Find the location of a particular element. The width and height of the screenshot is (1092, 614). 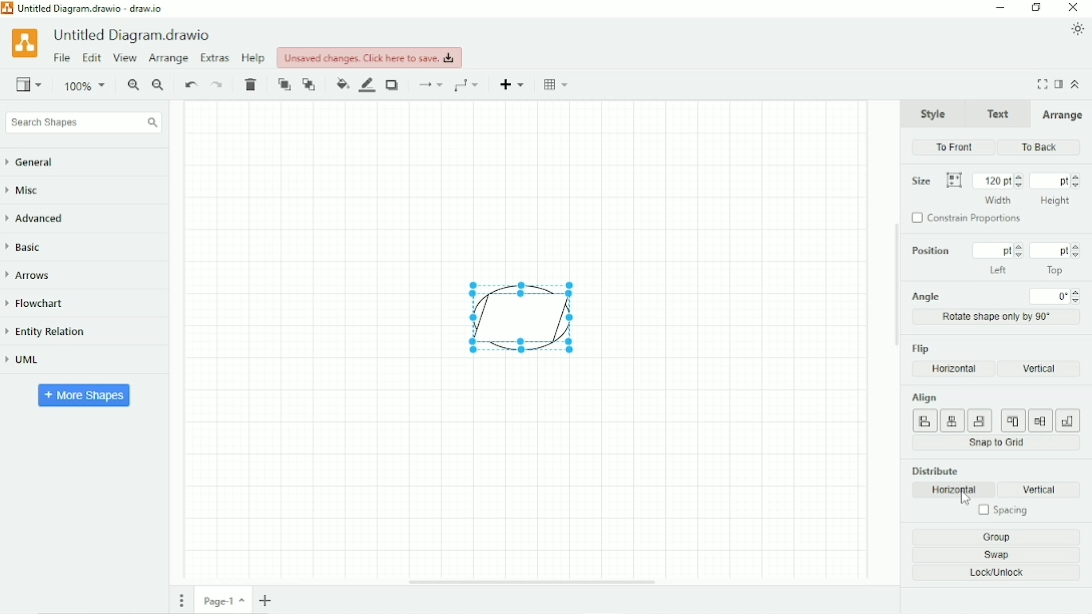

Arrows is located at coordinates (35, 275).